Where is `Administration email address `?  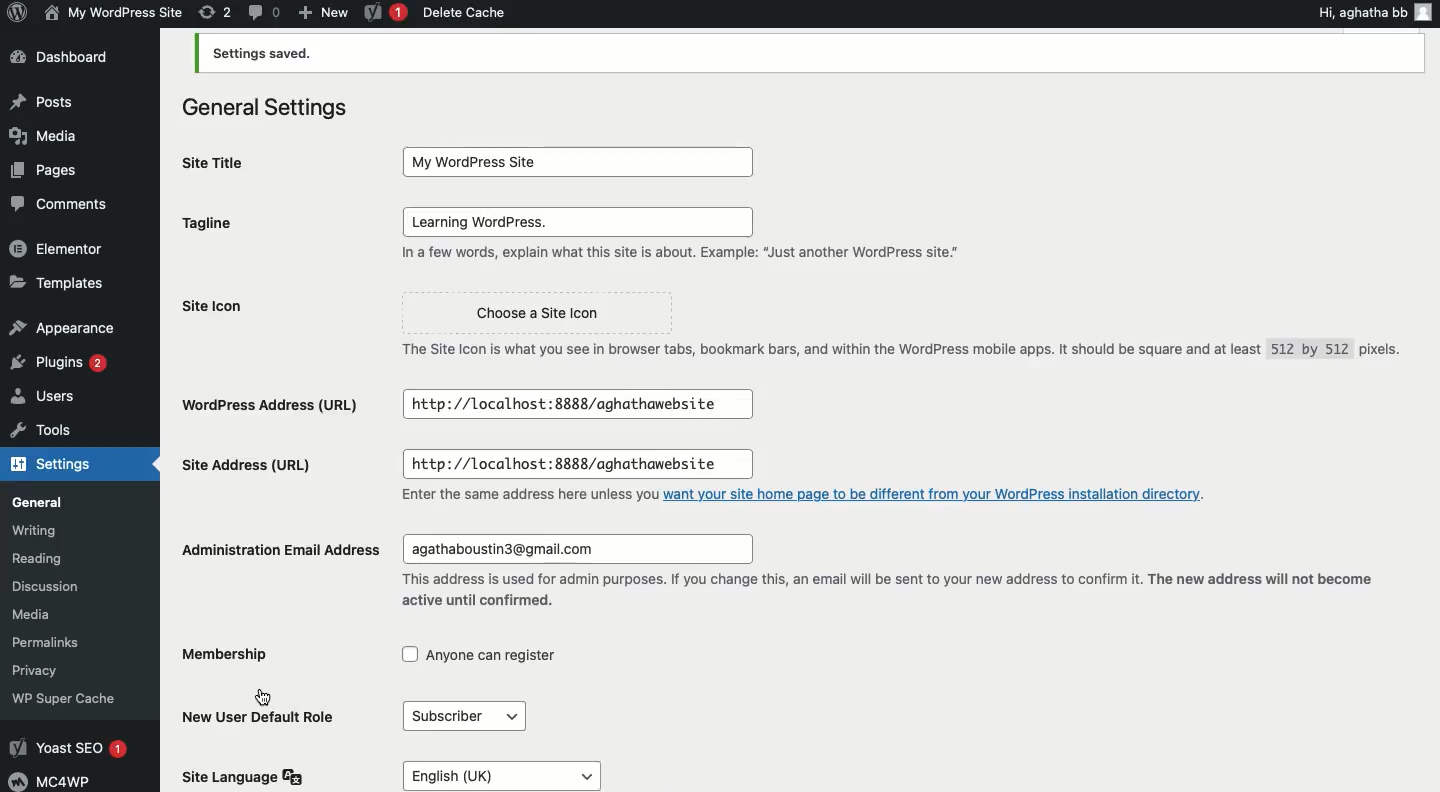
Administration email address  is located at coordinates (278, 550).